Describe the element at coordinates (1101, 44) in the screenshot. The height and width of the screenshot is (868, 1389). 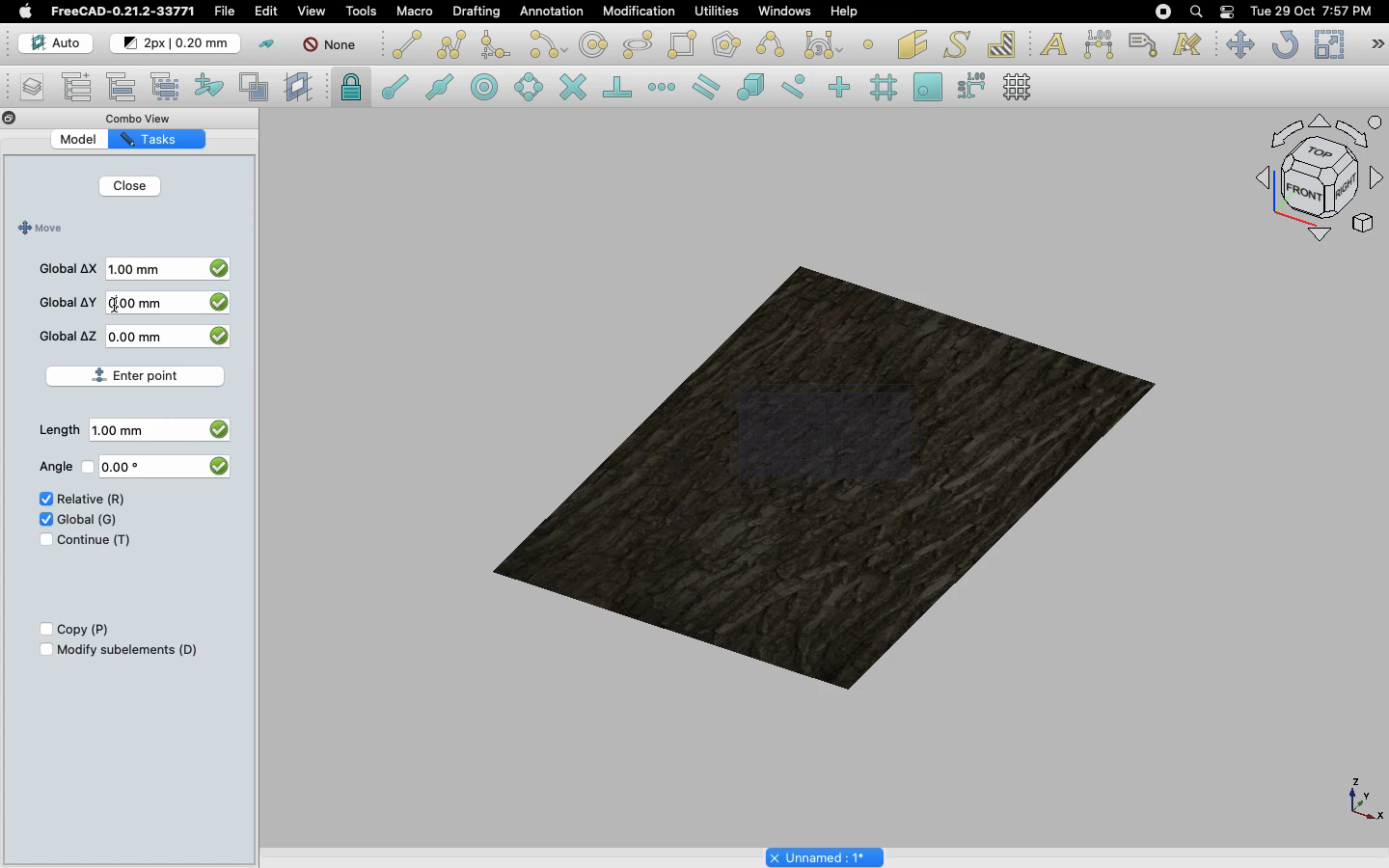
I see `Dimension` at that location.